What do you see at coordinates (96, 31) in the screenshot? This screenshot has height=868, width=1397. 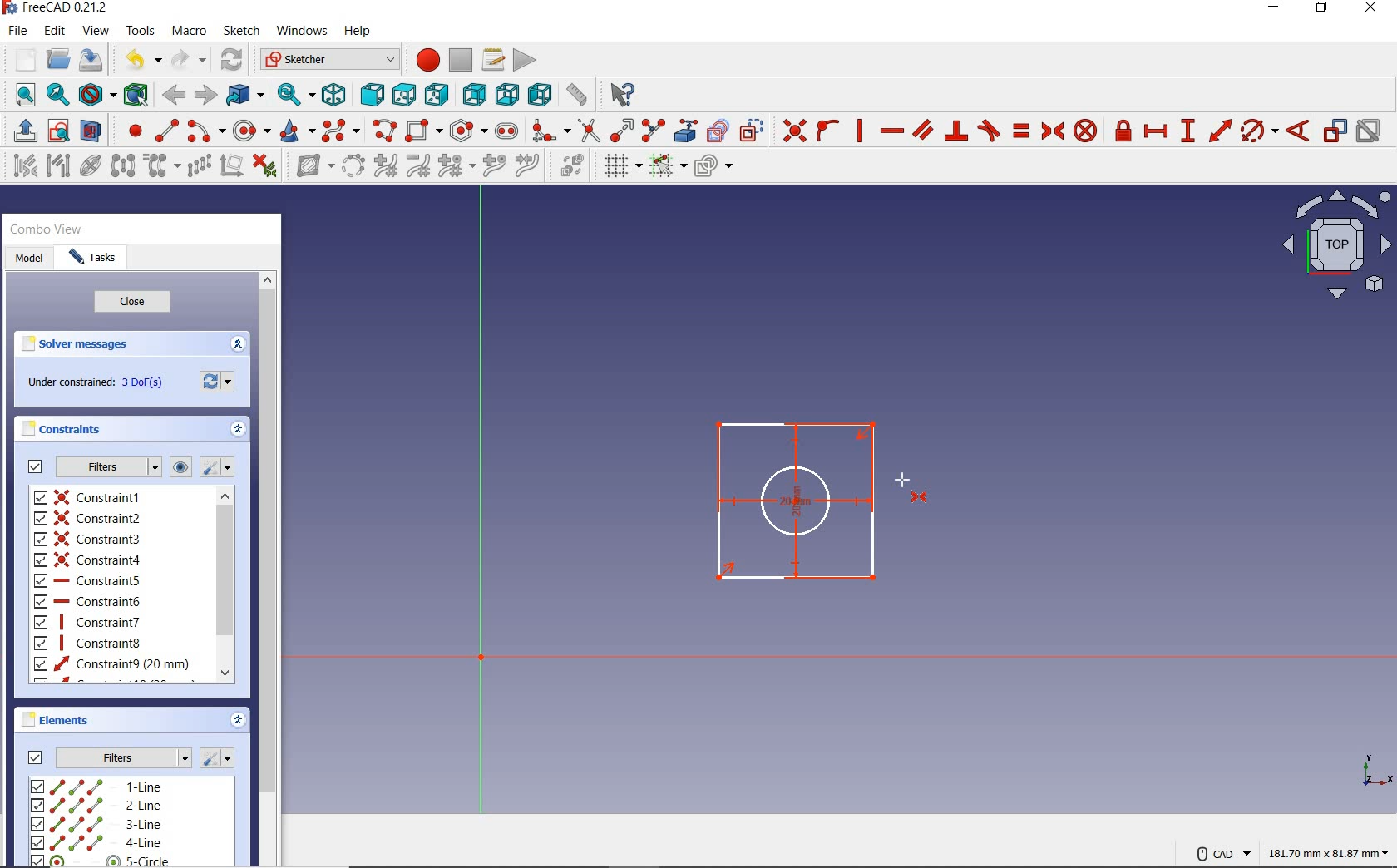 I see `view` at bounding box center [96, 31].